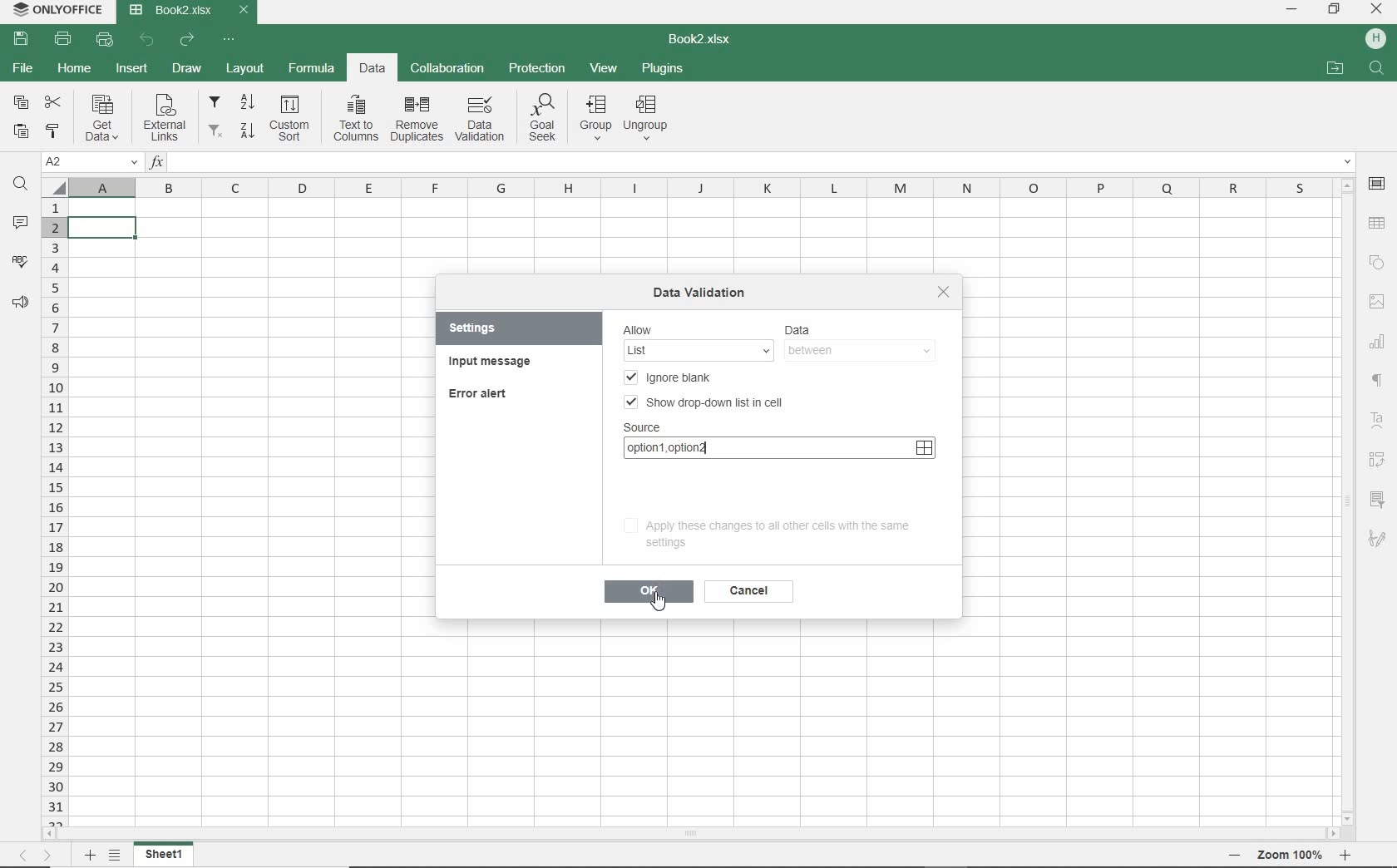 The width and height of the screenshot is (1397, 868). I want to click on ignore blank, so click(674, 379).